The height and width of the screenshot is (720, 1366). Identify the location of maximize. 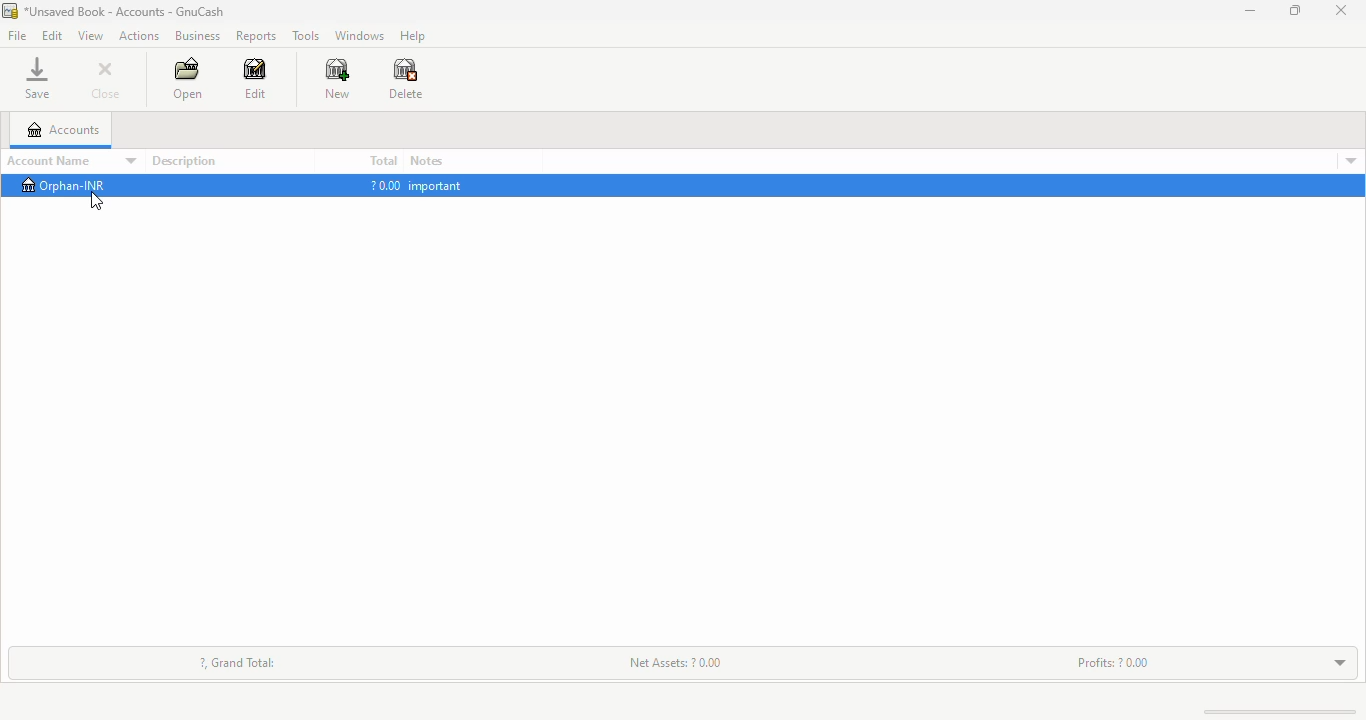
(1297, 10).